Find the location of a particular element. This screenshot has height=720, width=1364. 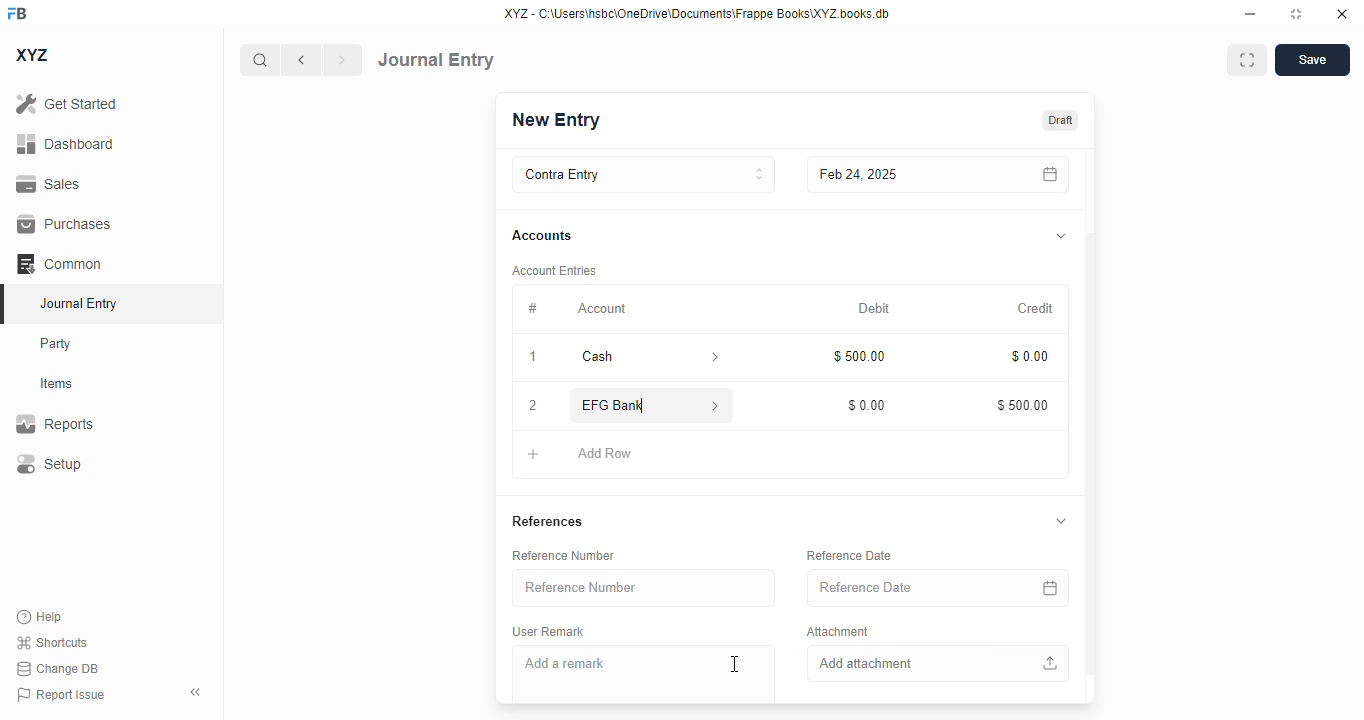

save is located at coordinates (1312, 60).